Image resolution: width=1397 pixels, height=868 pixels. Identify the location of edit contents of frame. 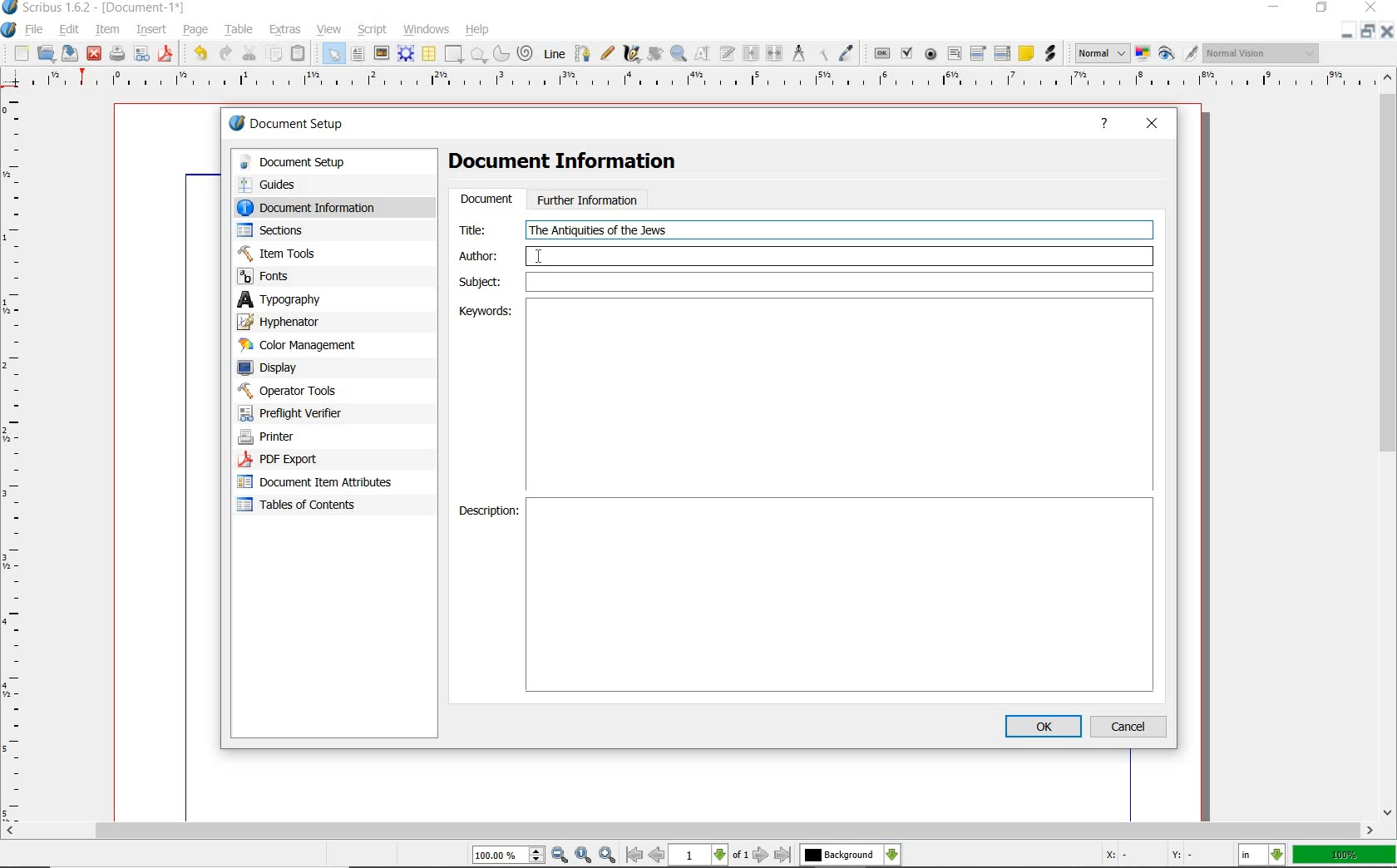
(704, 55).